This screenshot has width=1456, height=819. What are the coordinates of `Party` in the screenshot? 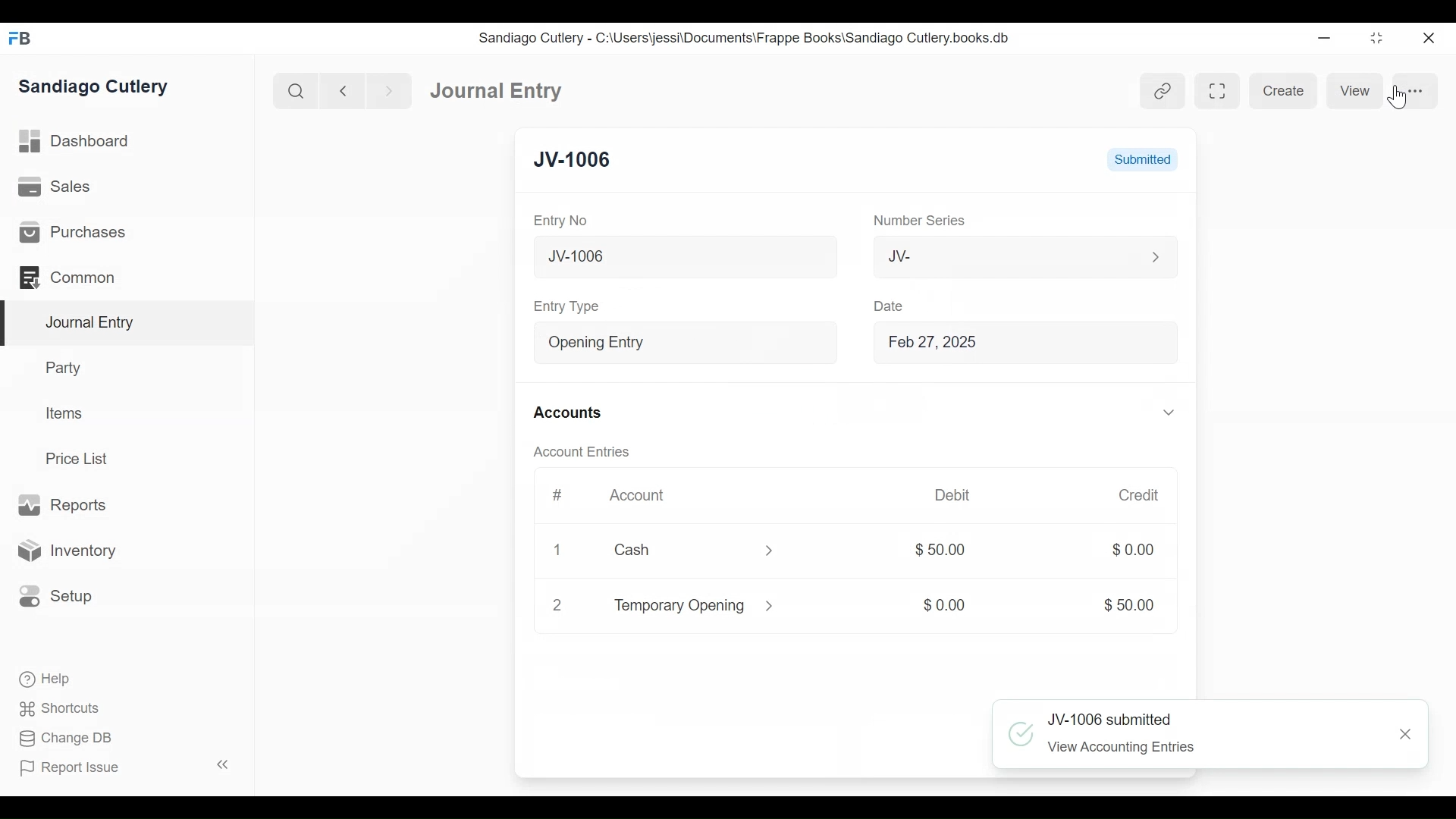 It's located at (66, 367).